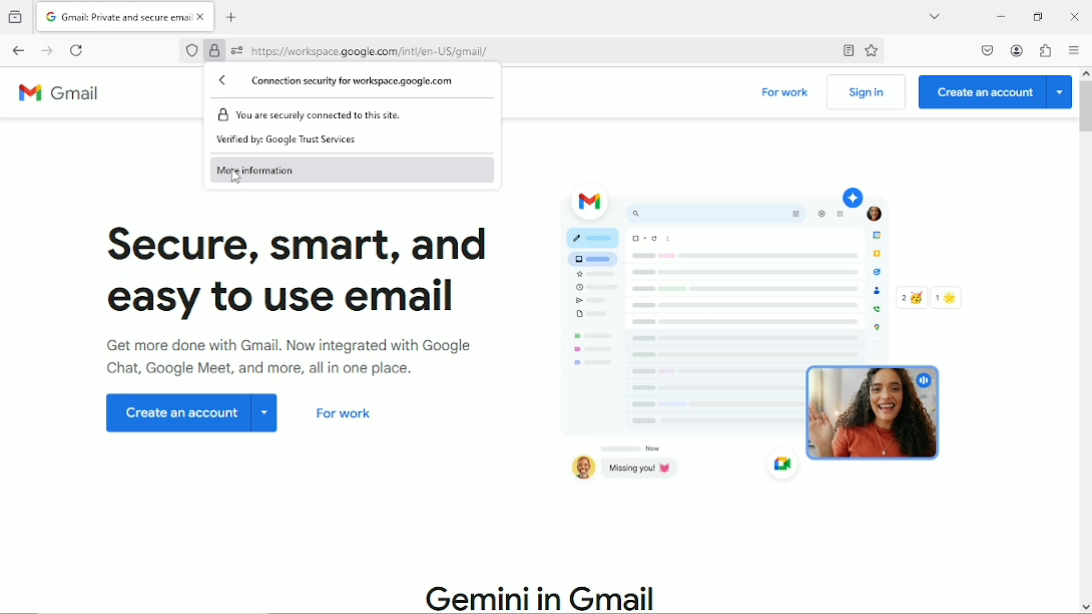 The height and width of the screenshot is (614, 1092). Describe the element at coordinates (546, 592) in the screenshot. I see `Gemini in Gmail` at that location.